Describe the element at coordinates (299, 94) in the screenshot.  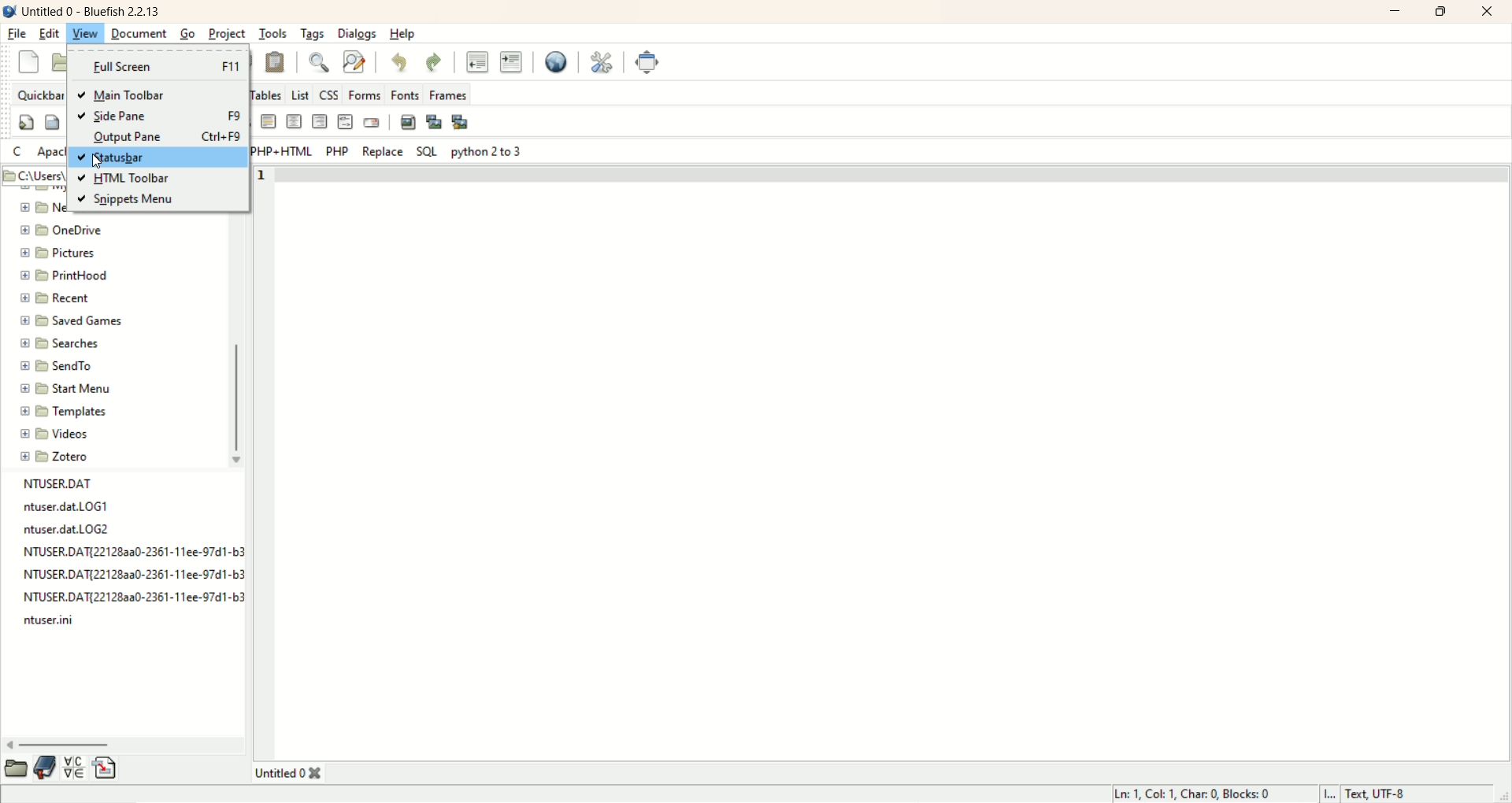
I see `list` at that location.